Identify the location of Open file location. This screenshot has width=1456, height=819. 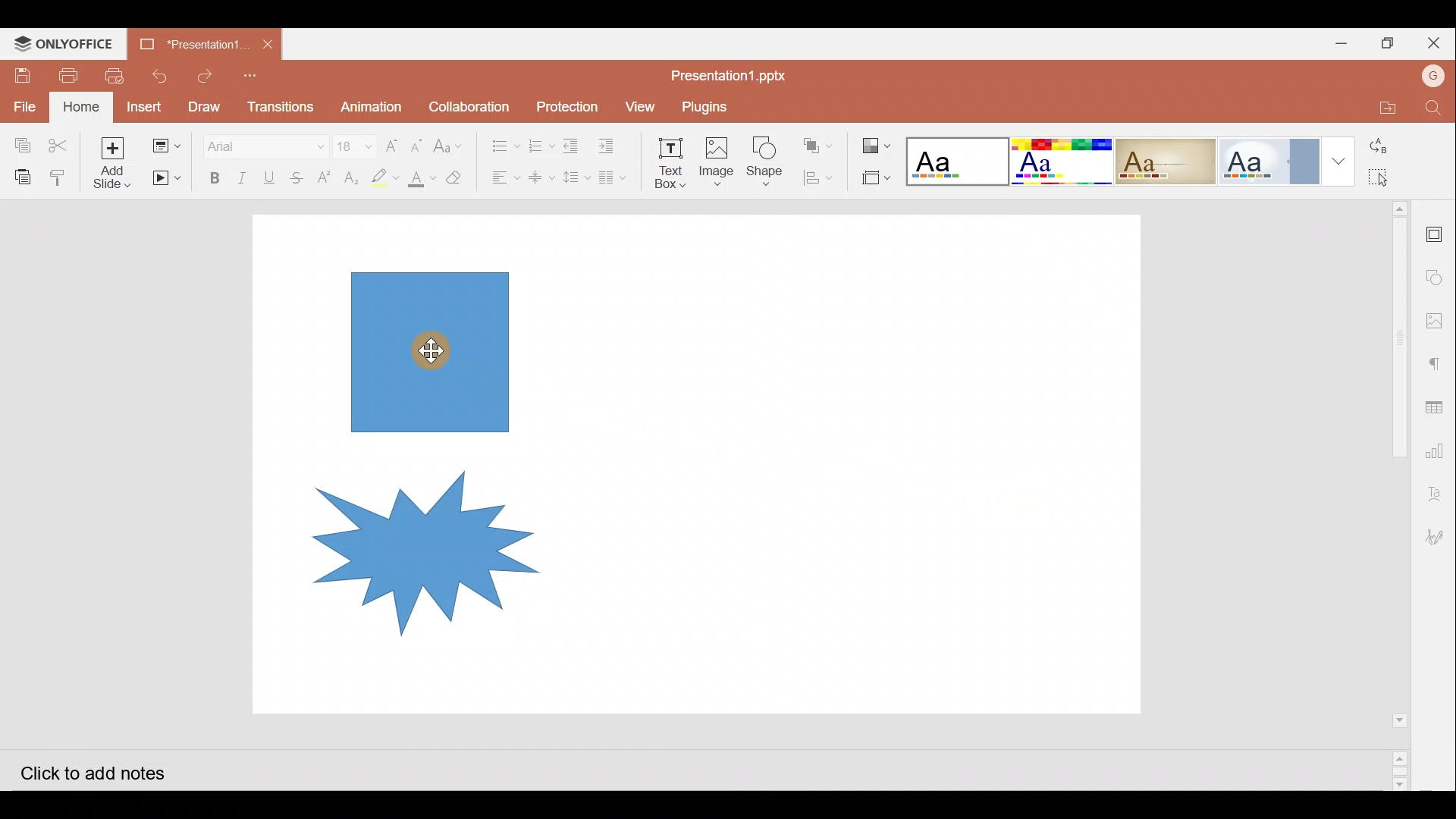
(1382, 108).